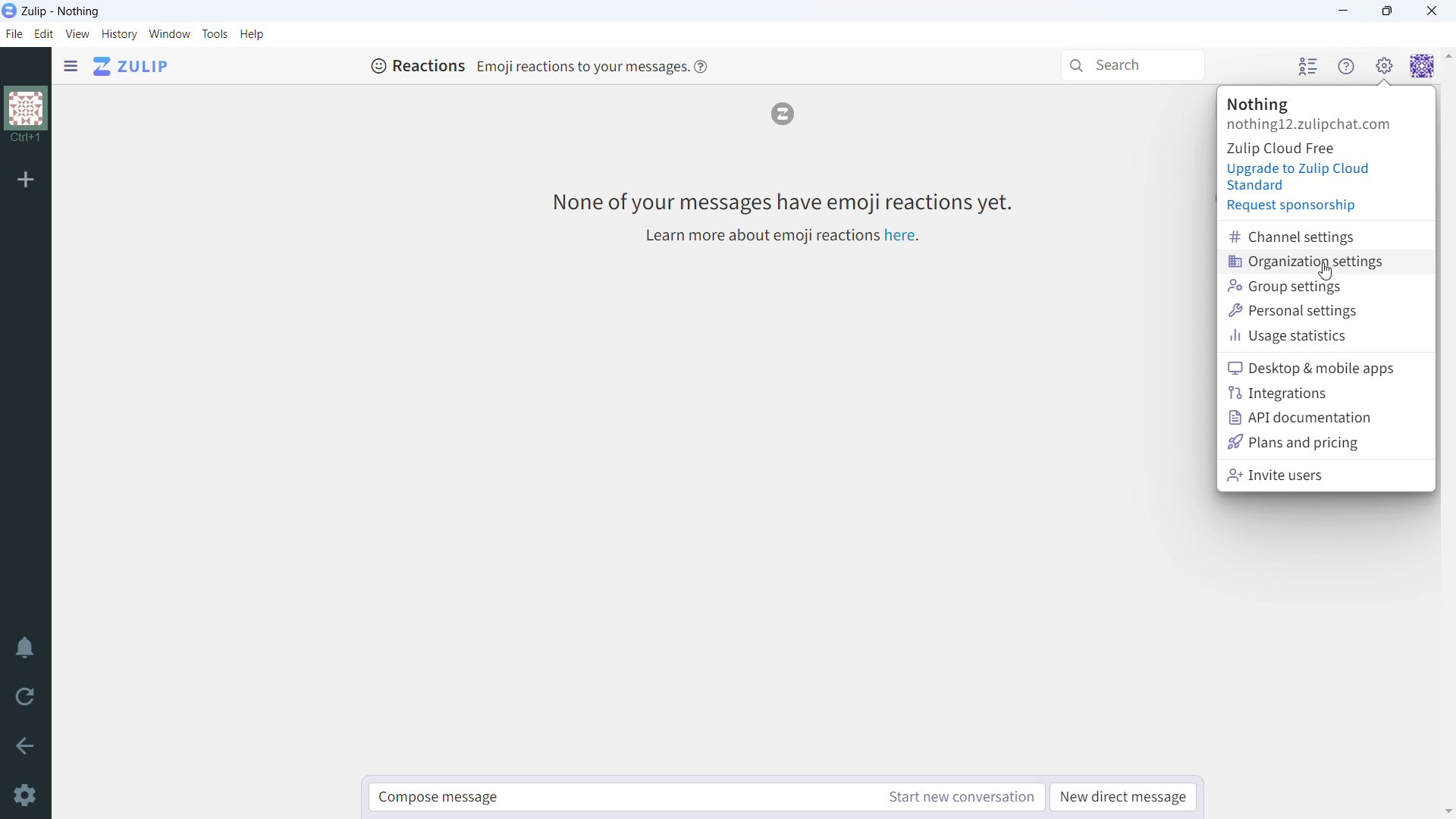  Describe the element at coordinates (1423, 66) in the screenshot. I see `personal menu` at that location.